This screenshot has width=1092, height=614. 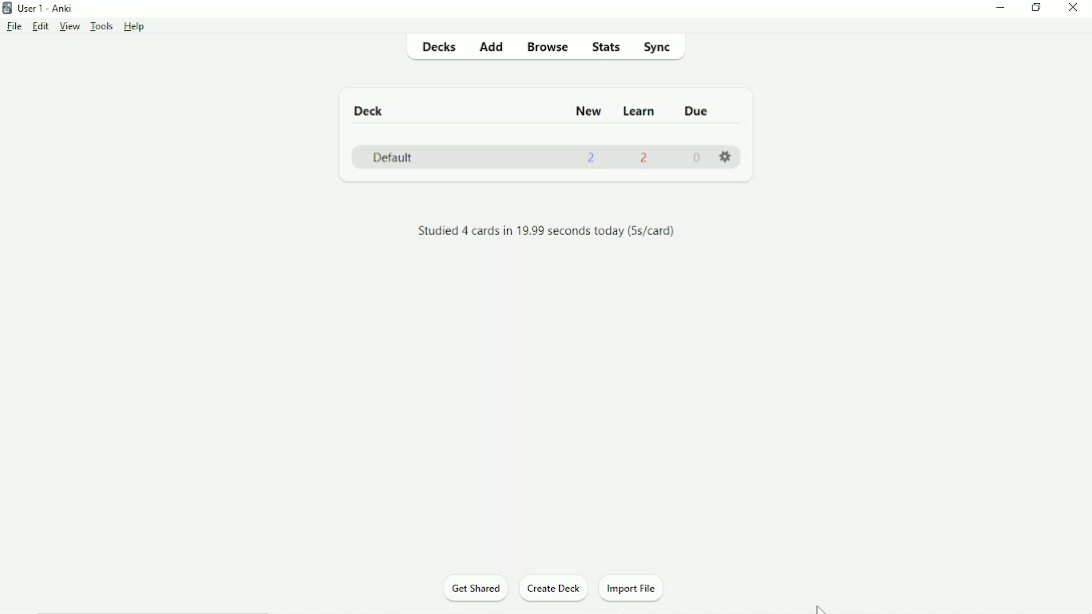 What do you see at coordinates (824, 607) in the screenshot?
I see `Cursor` at bounding box center [824, 607].